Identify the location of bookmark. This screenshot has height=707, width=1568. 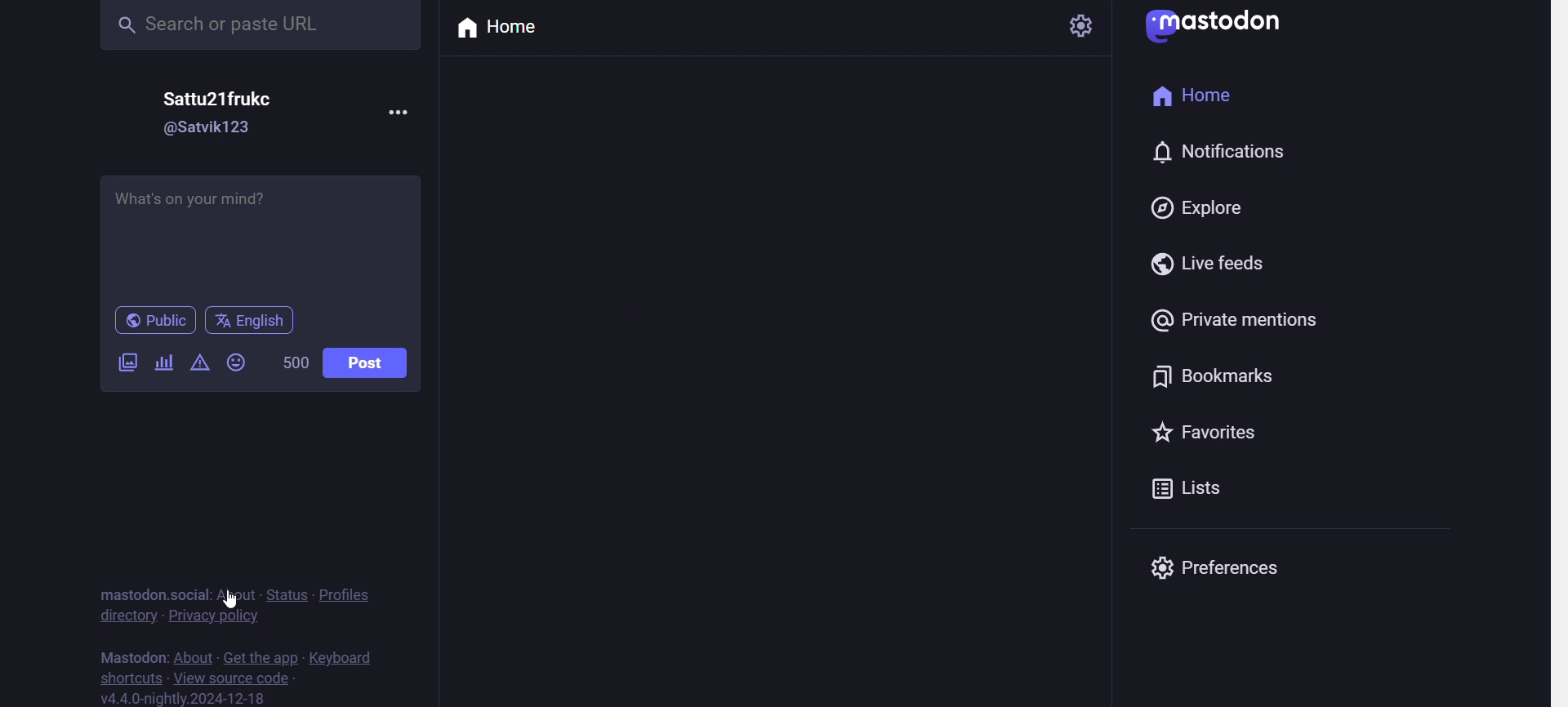
(1221, 380).